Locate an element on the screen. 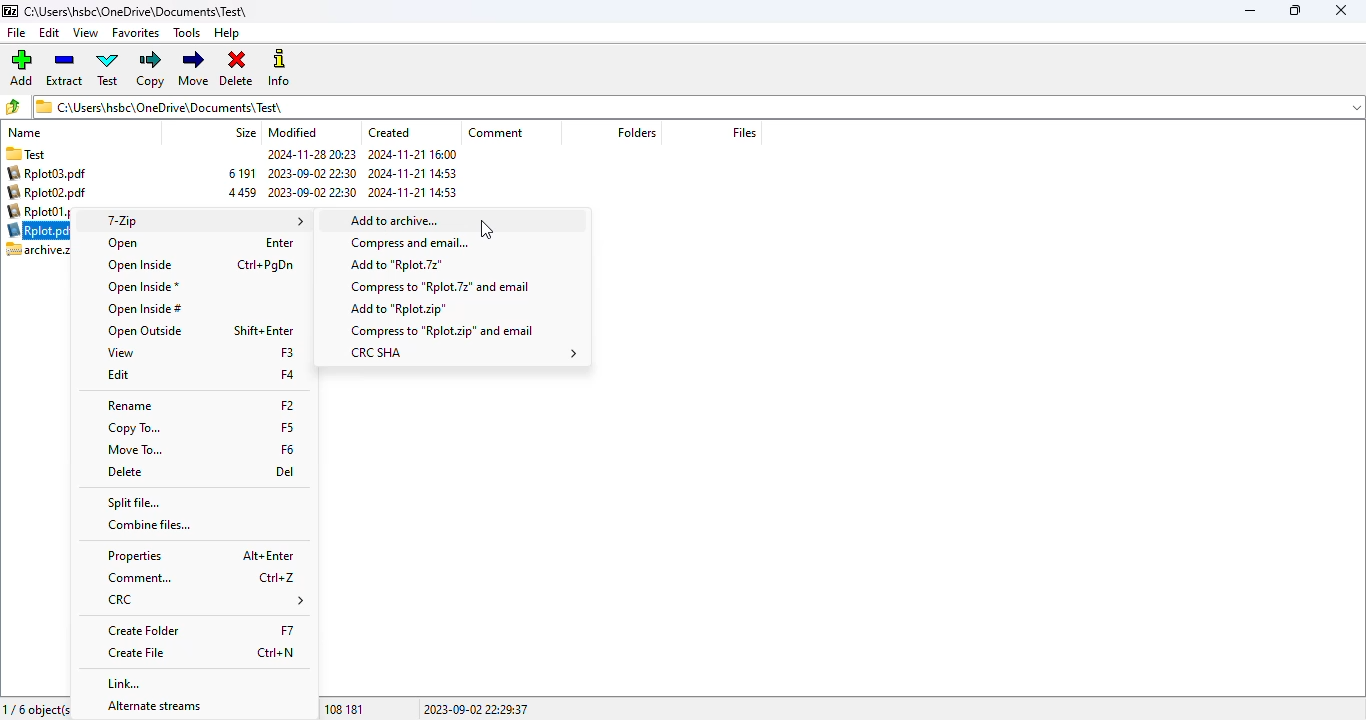 Image resolution: width=1366 pixels, height=720 pixels. shortcut for open is located at coordinates (279, 243).